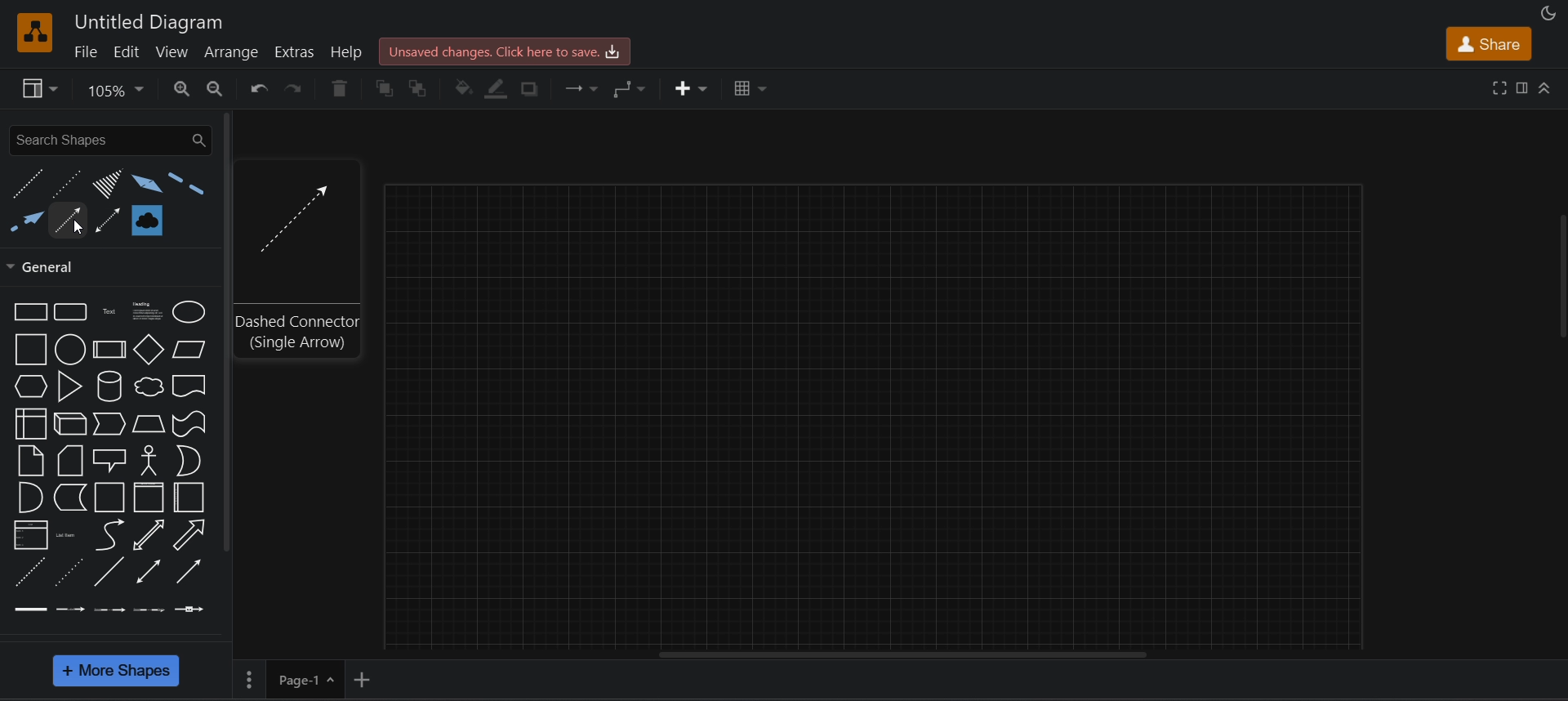  I want to click on to front, so click(384, 88).